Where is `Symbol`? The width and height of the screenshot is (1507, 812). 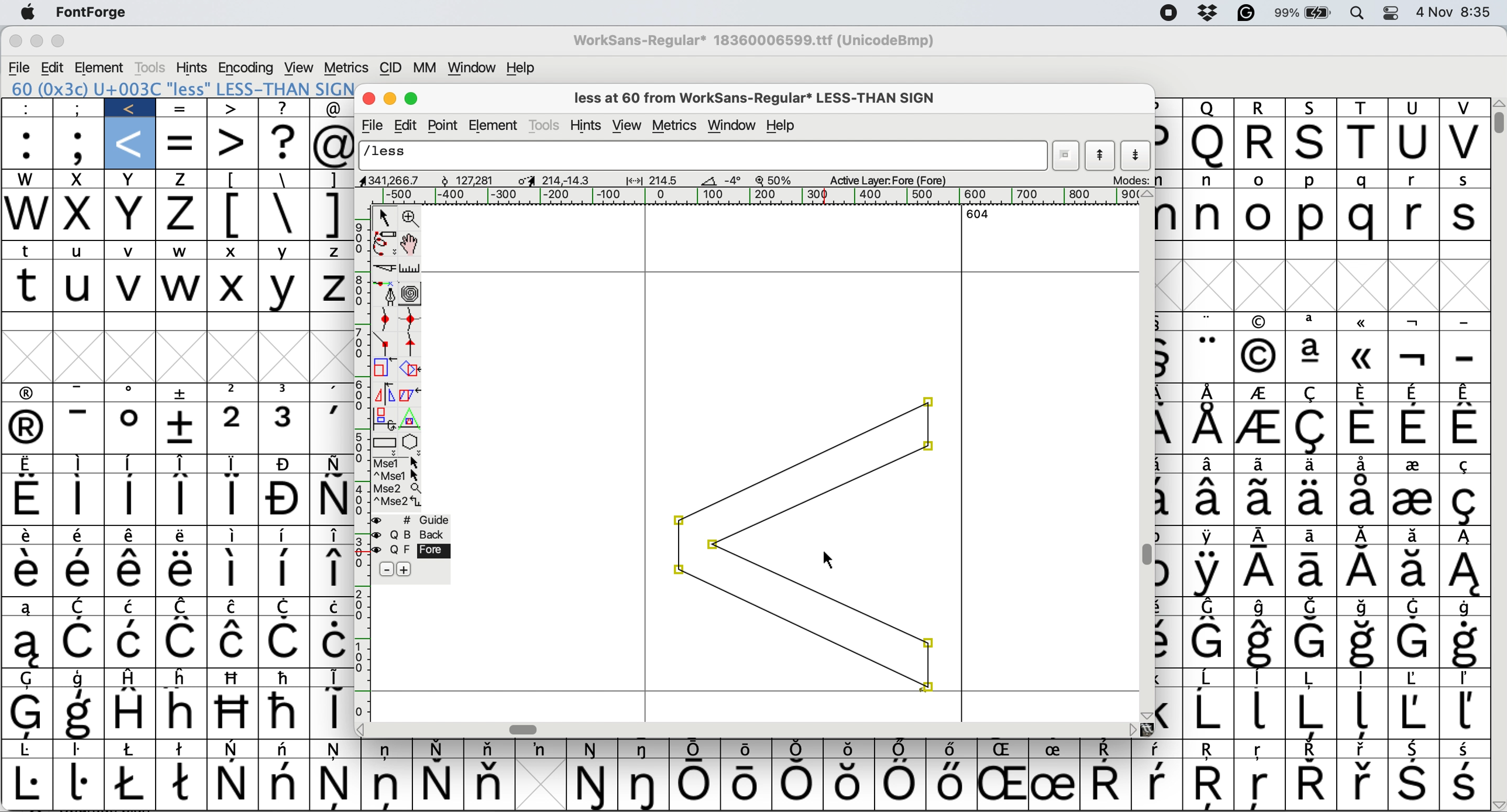 Symbol is located at coordinates (78, 571).